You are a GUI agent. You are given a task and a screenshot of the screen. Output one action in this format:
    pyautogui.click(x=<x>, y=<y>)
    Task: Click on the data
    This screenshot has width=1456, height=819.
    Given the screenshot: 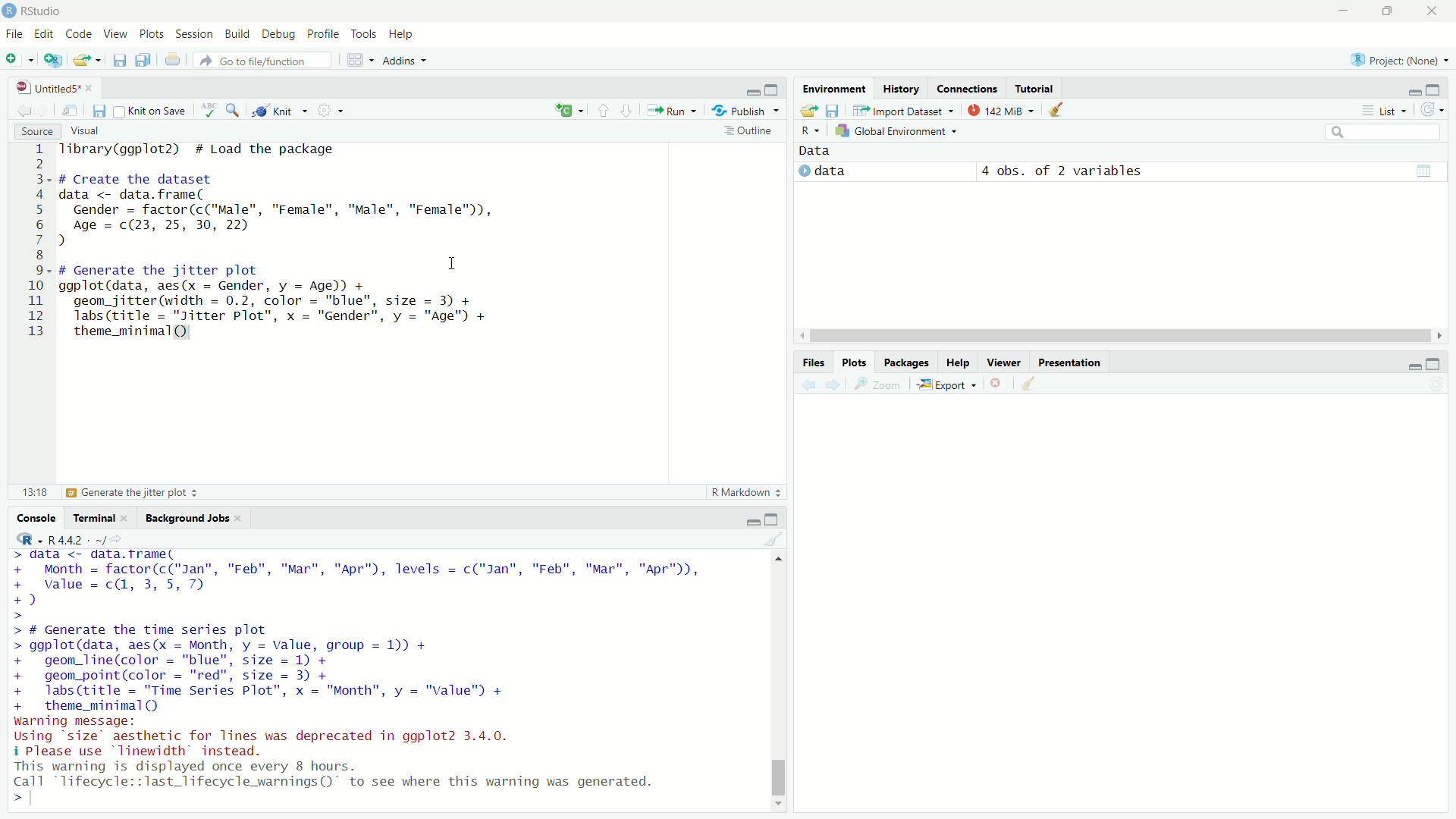 What is the action you would take?
    pyautogui.click(x=826, y=149)
    